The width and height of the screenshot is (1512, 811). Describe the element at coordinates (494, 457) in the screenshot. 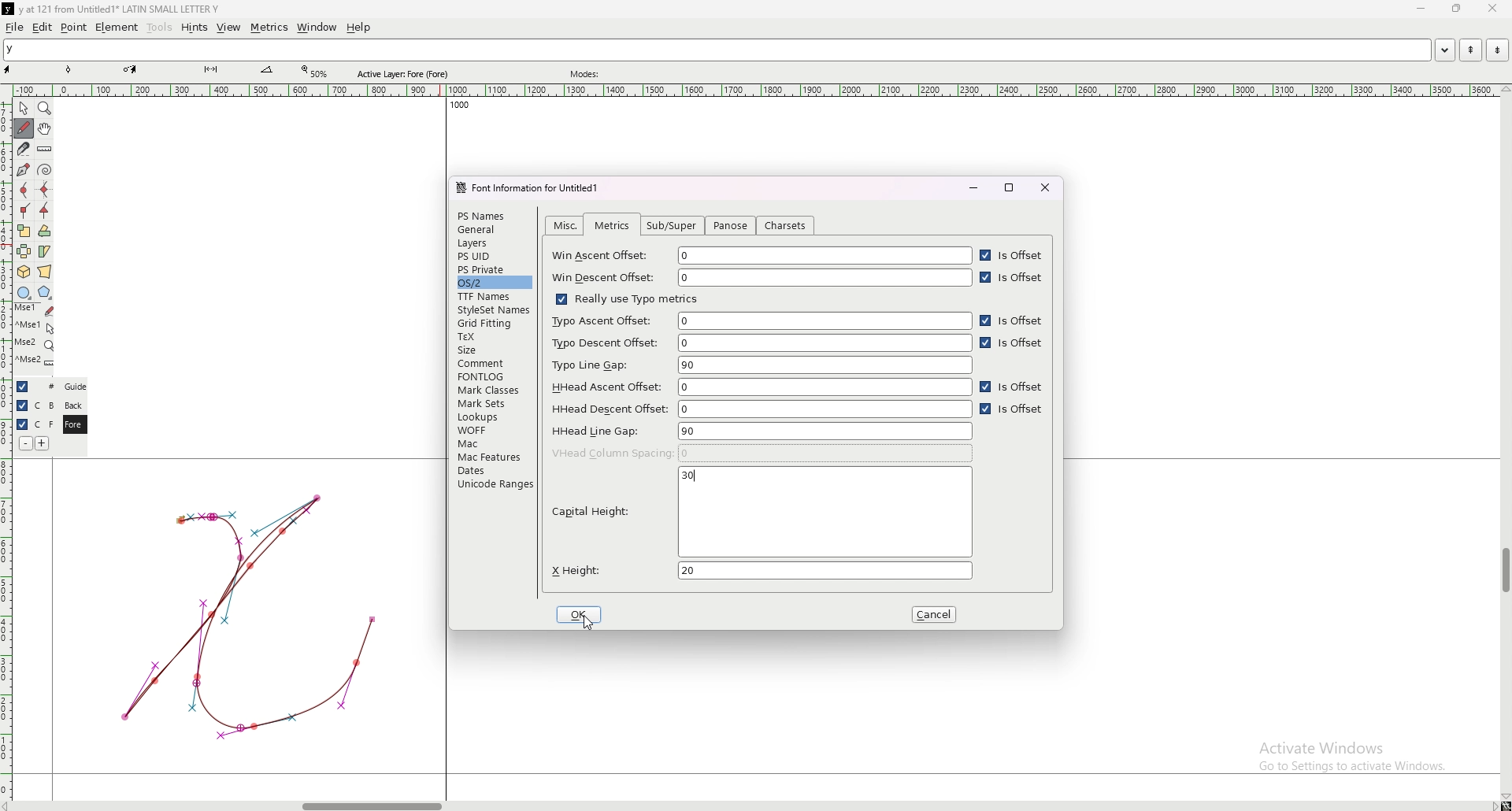

I see `mac features` at that location.